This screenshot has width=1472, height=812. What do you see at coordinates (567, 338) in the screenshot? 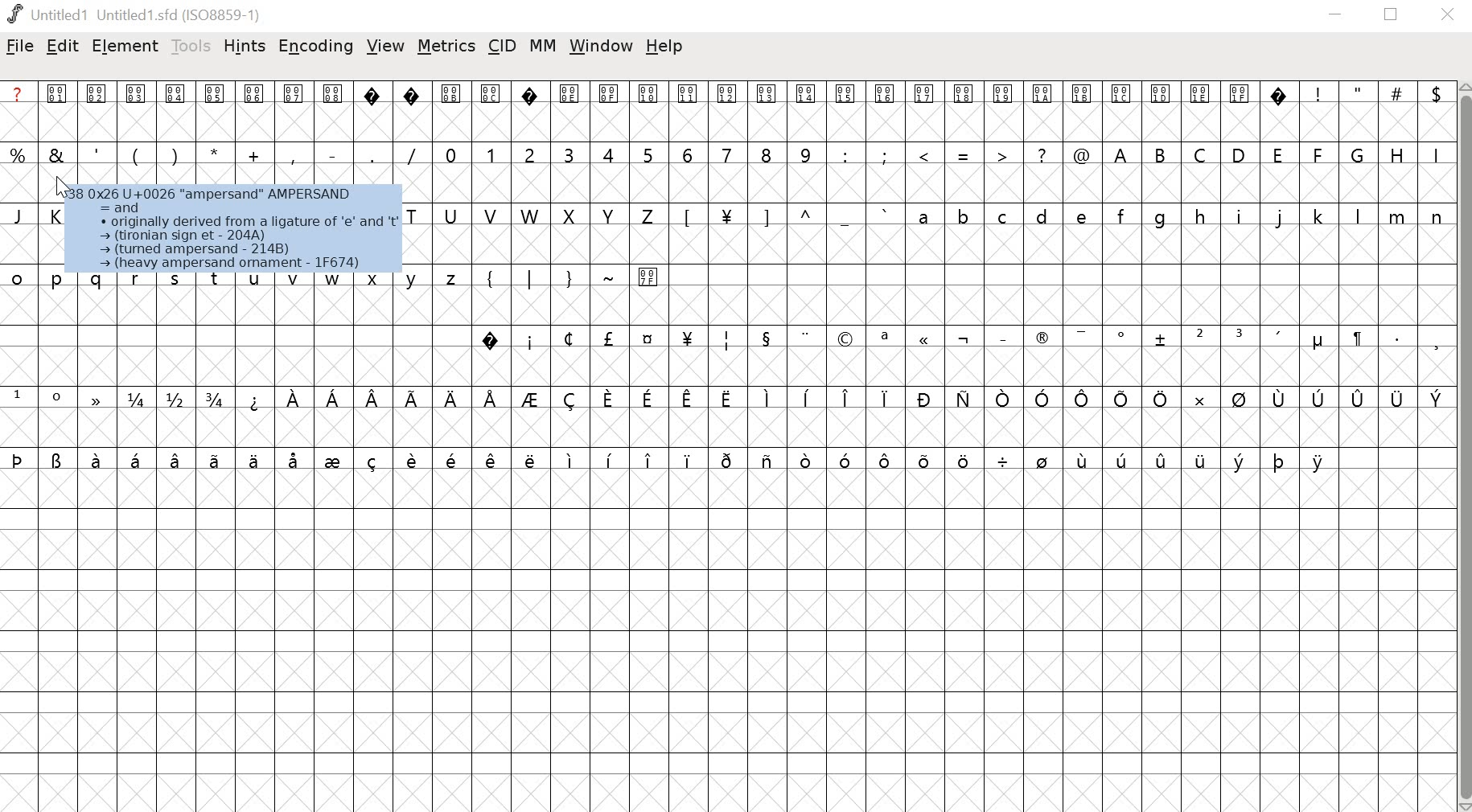
I see `symbol` at bounding box center [567, 338].